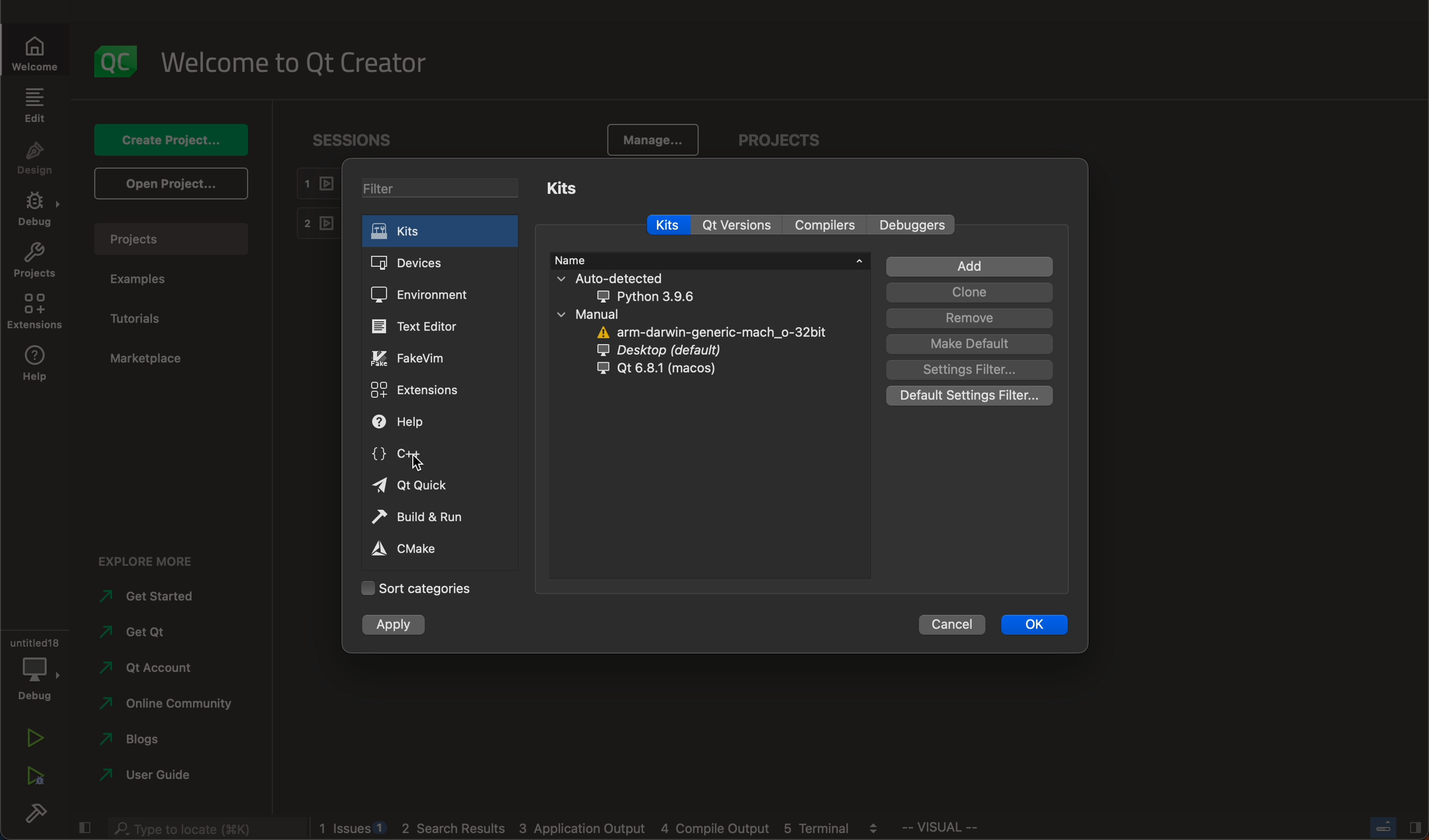 Image resolution: width=1429 pixels, height=840 pixels. I want to click on help, so click(413, 423).